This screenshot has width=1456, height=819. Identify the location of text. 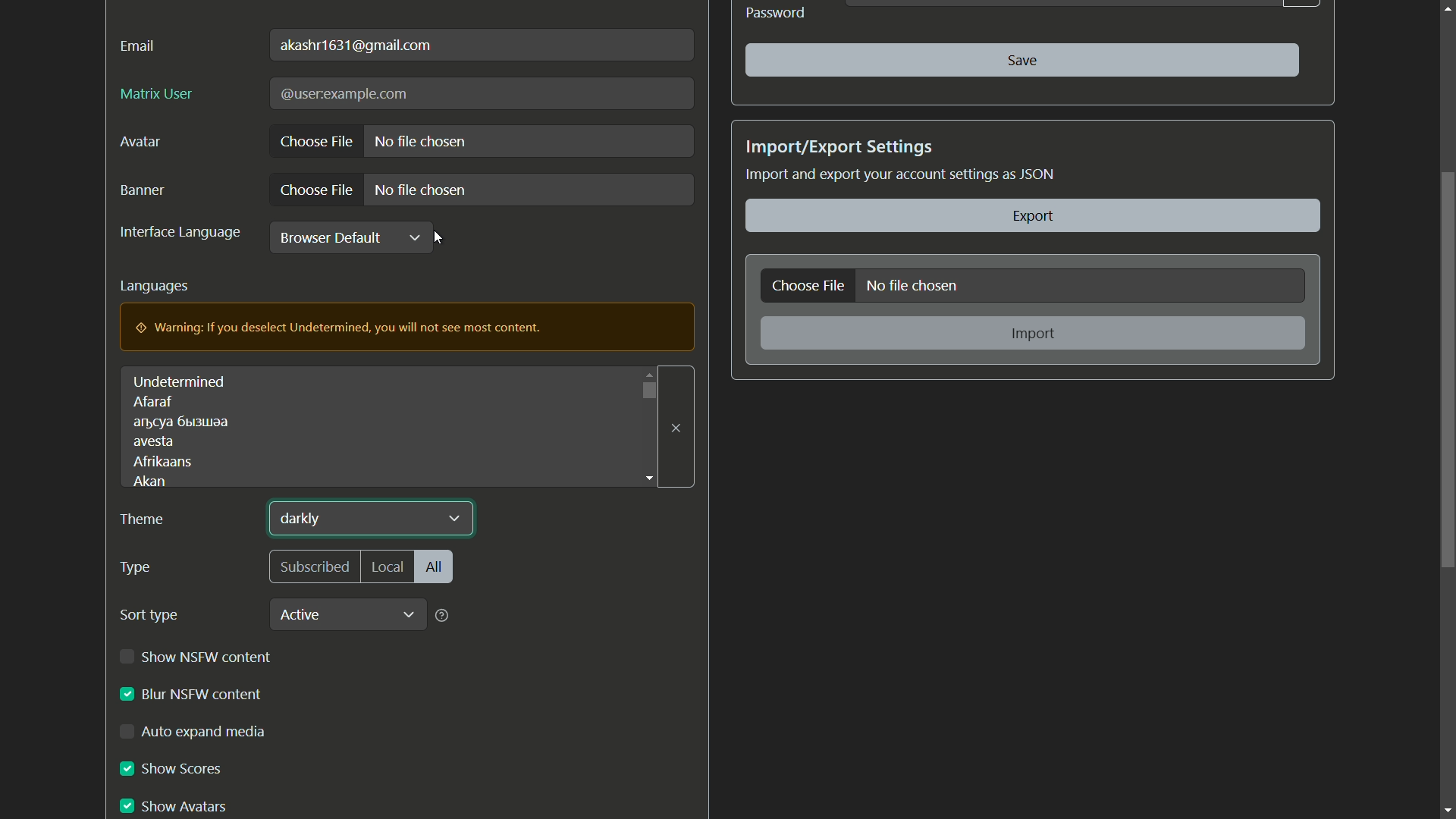
(342, 93).